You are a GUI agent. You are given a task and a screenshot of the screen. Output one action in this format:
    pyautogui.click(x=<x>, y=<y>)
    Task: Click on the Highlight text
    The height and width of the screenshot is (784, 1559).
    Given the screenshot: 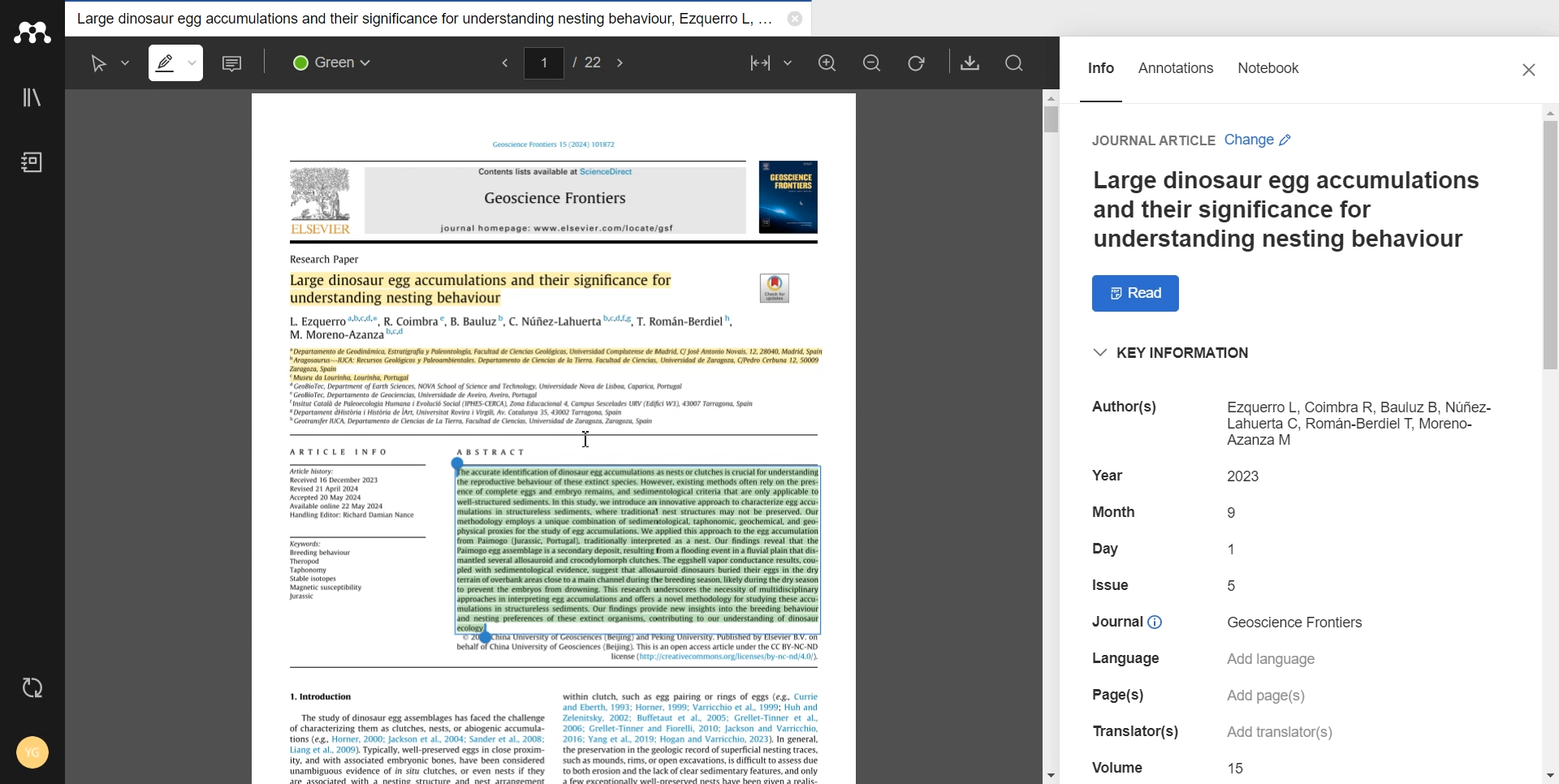 What is the action you would take?
    pyautogui.click(x=179, y=62)
    